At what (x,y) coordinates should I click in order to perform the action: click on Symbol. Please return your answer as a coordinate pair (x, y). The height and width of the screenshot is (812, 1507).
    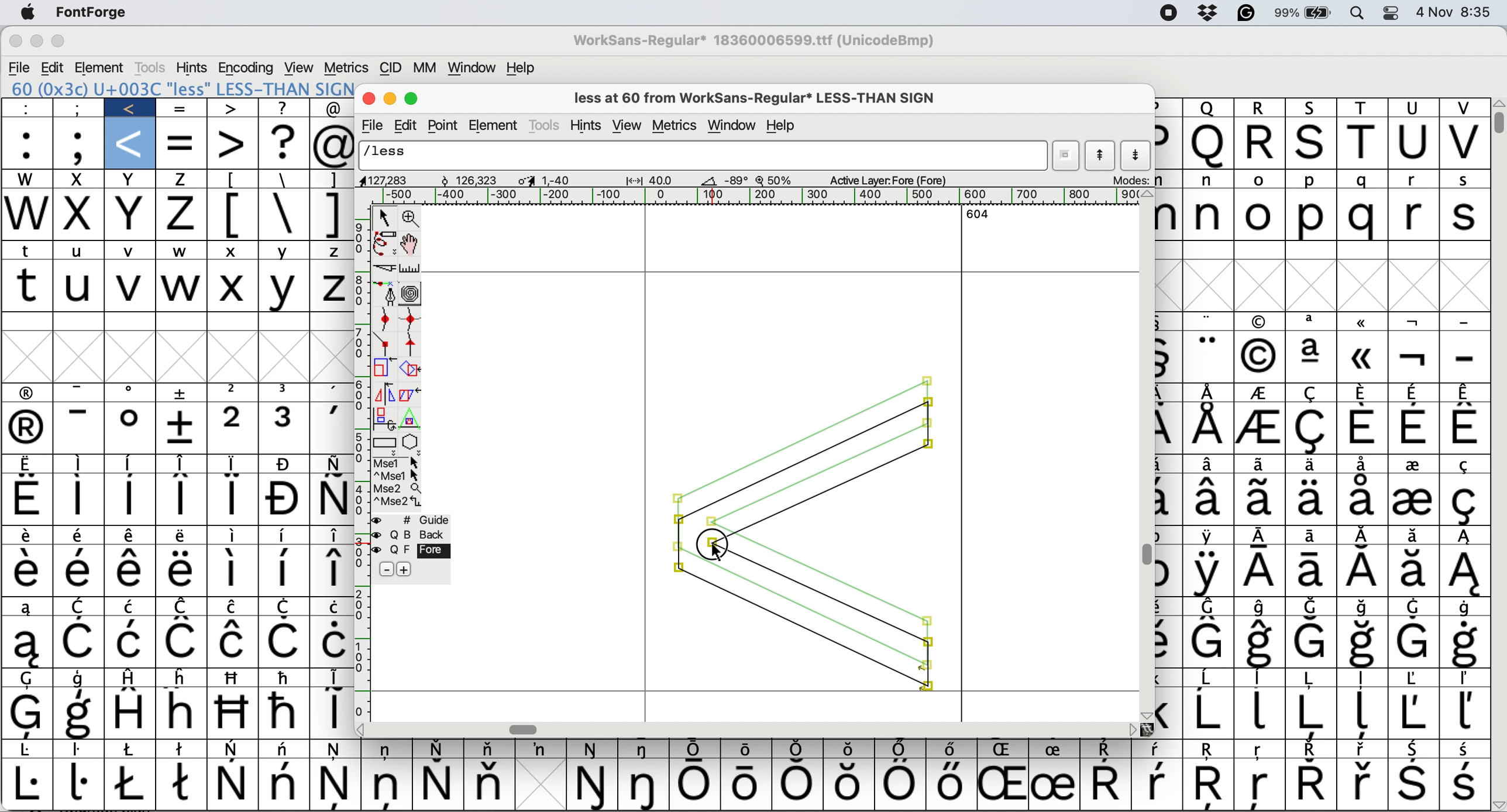
    Looking at the image, I should click on (184, 748).